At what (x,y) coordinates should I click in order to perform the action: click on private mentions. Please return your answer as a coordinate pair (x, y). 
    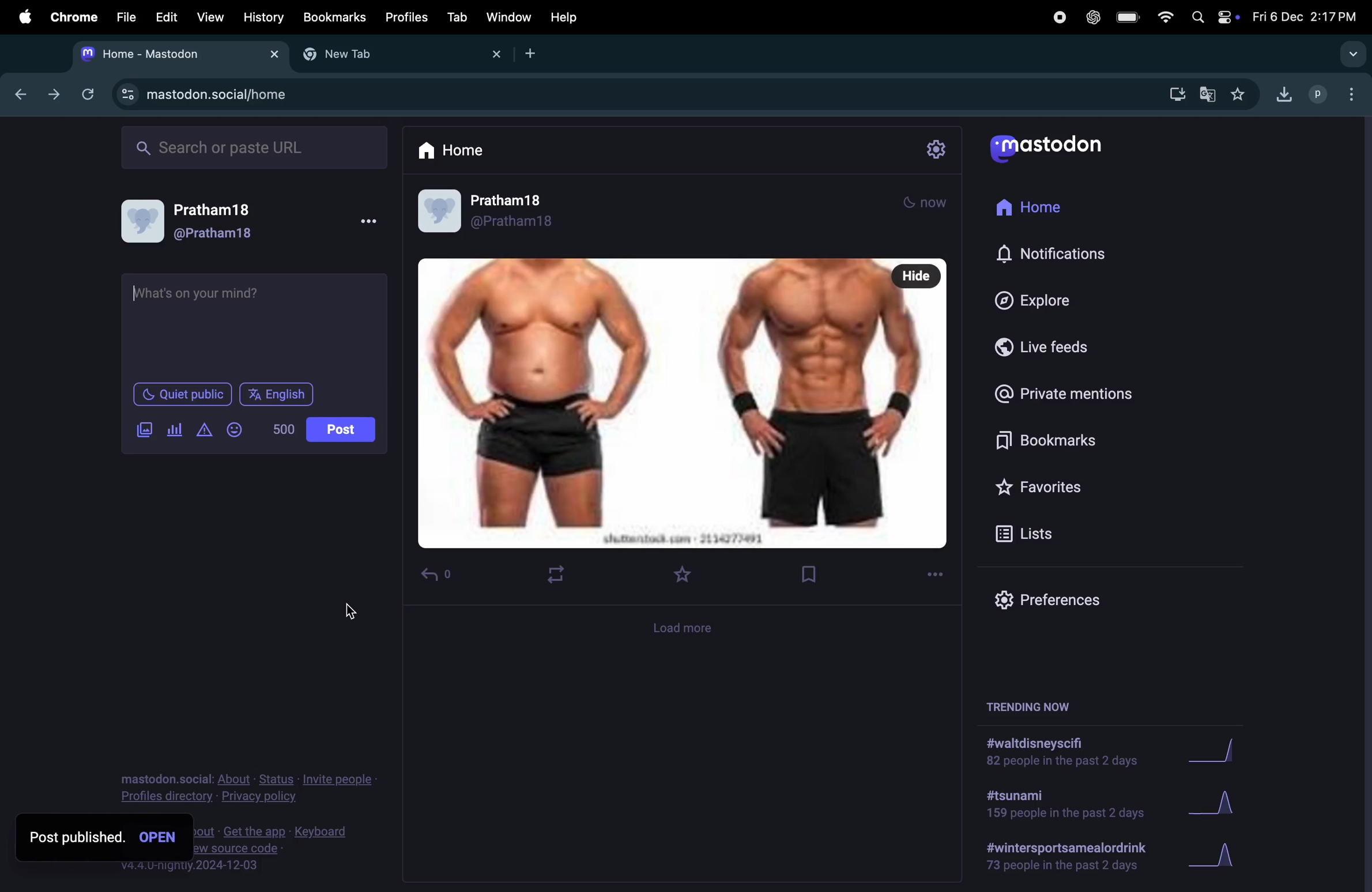
    Looking at the image, I should click on (1077, 395).